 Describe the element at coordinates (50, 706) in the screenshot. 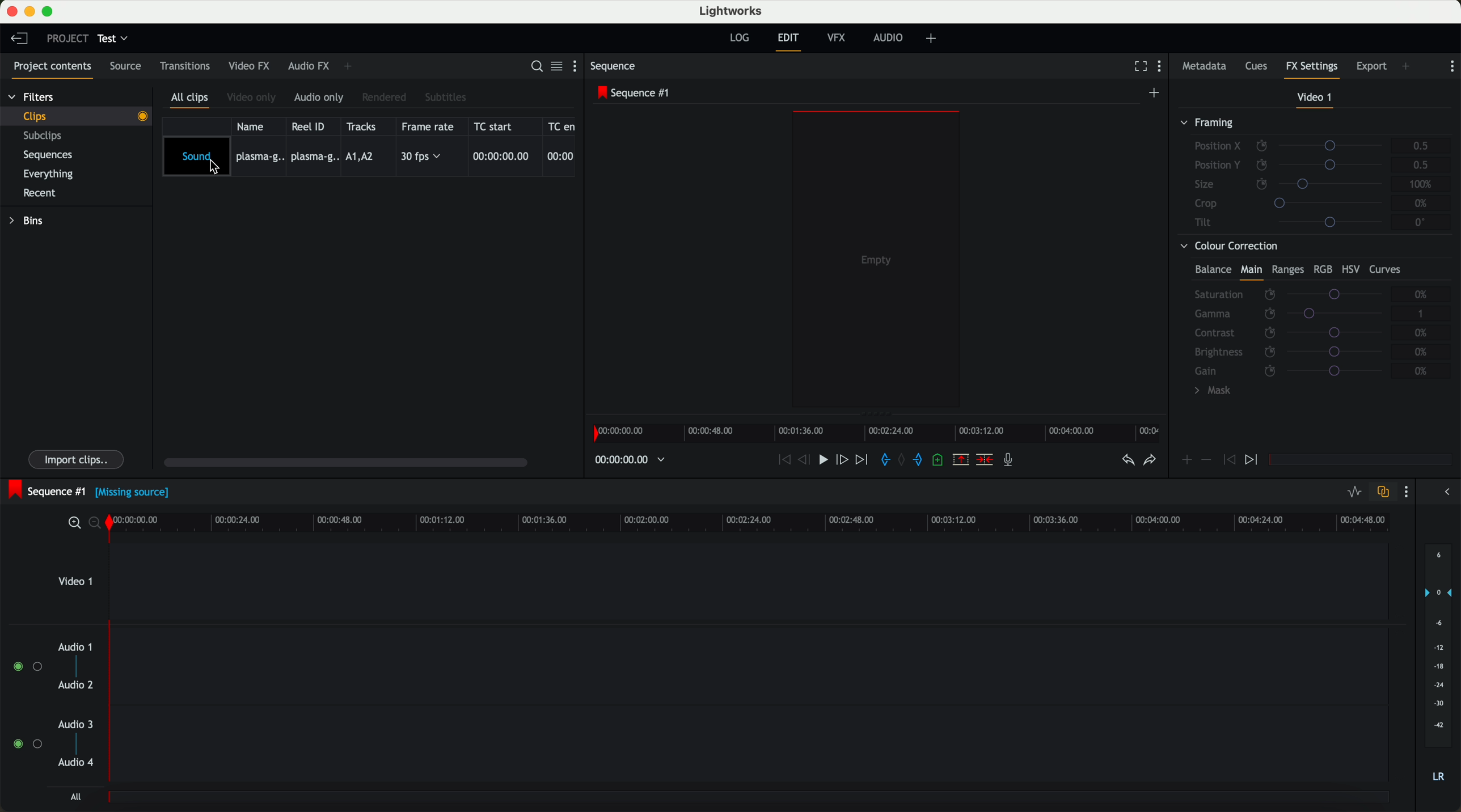

I see `audios` at that location.